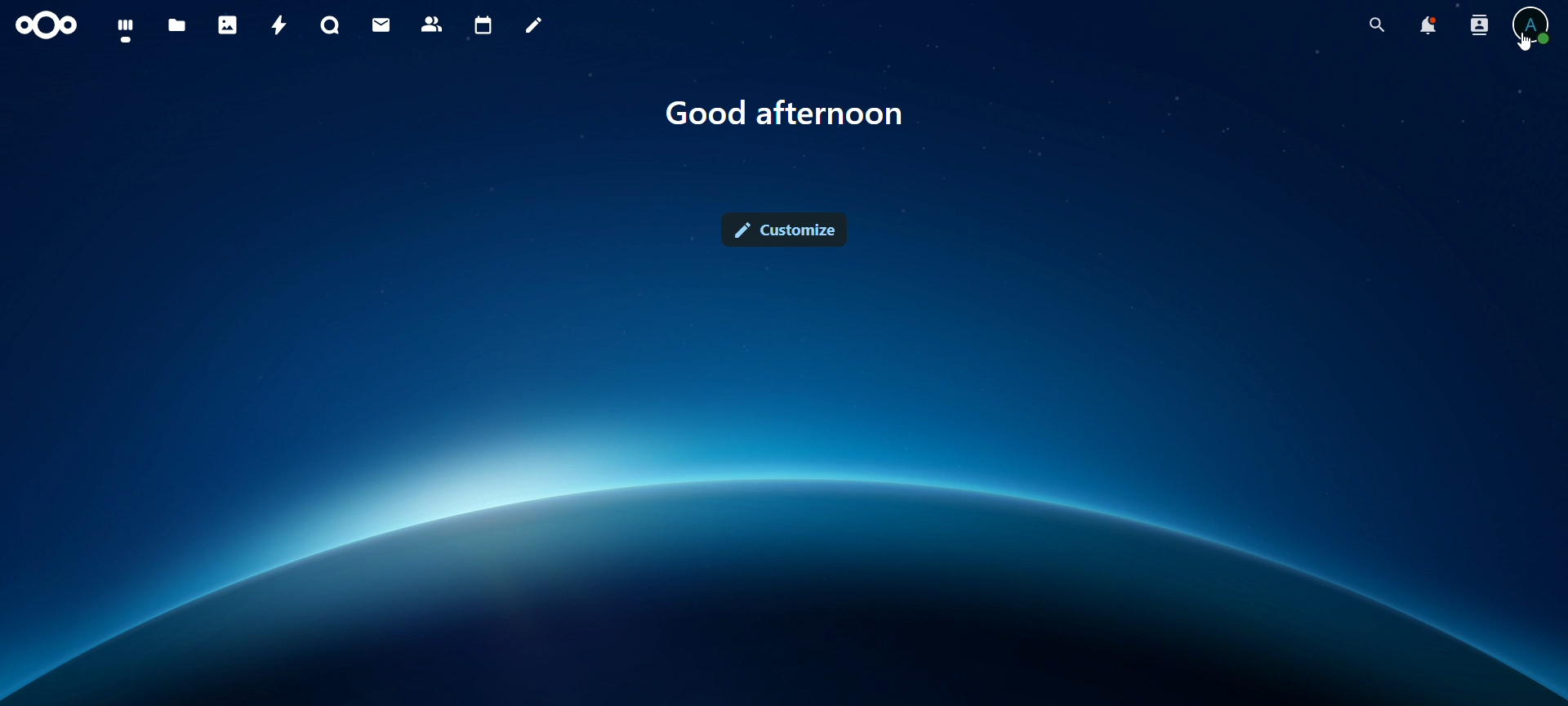 The height and width of the screenshot is (706, 1568). Describe the element at coordinates (533, 25) in the screenshot. I see `notes` at that location.